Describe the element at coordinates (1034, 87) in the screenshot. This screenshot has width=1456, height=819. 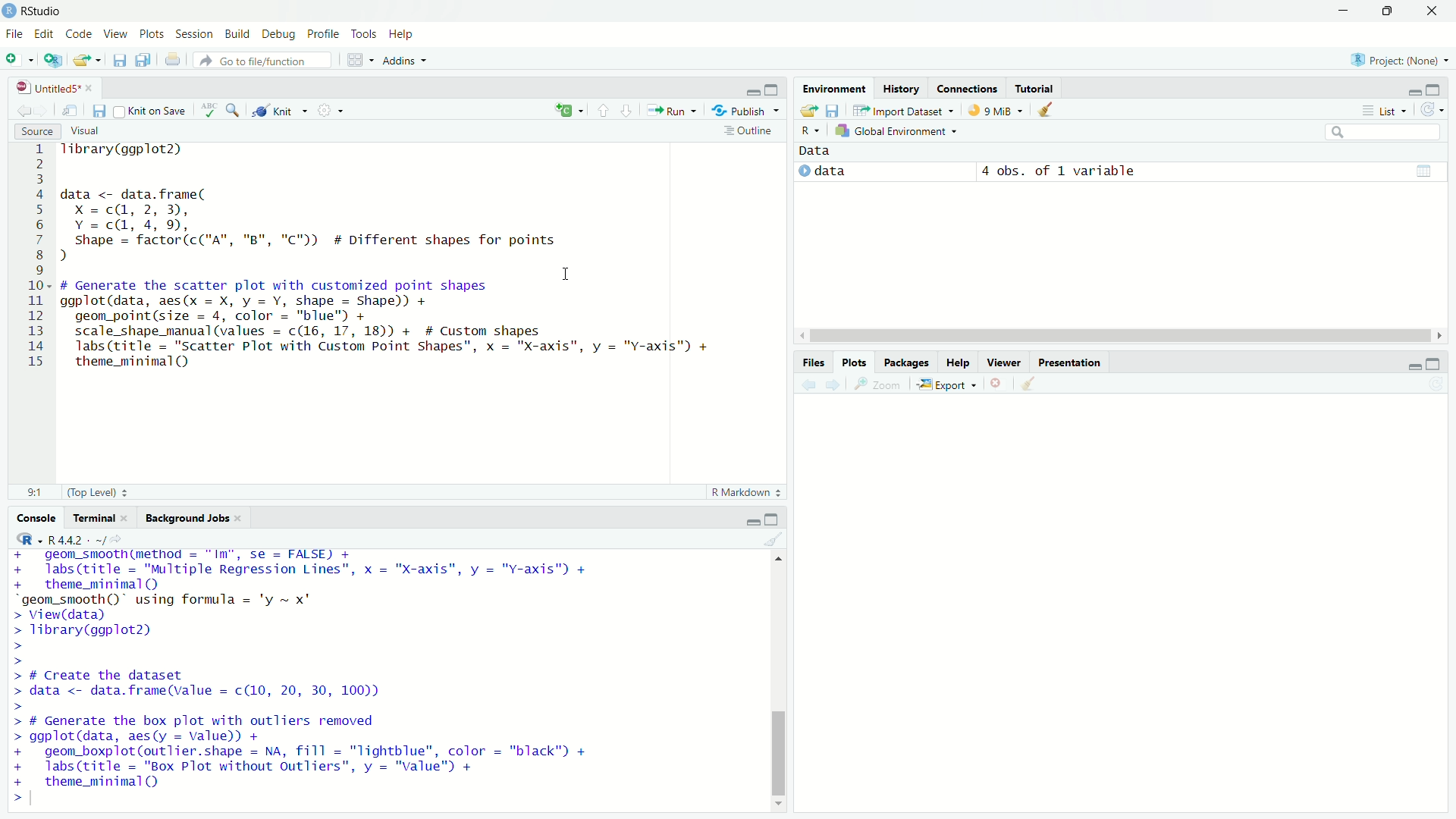
I see `Tutorial` at that location.